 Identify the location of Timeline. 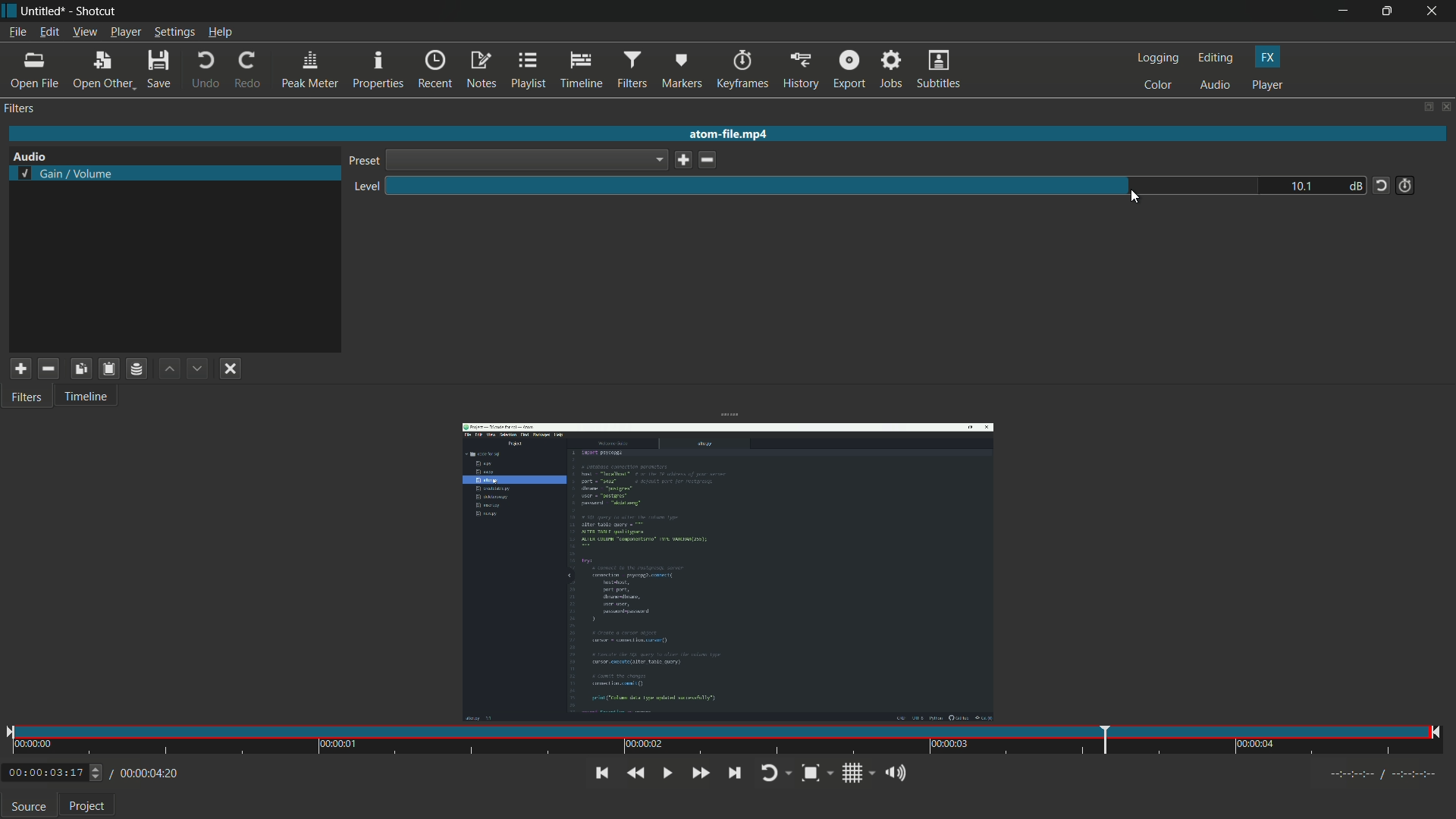
(93, 399).